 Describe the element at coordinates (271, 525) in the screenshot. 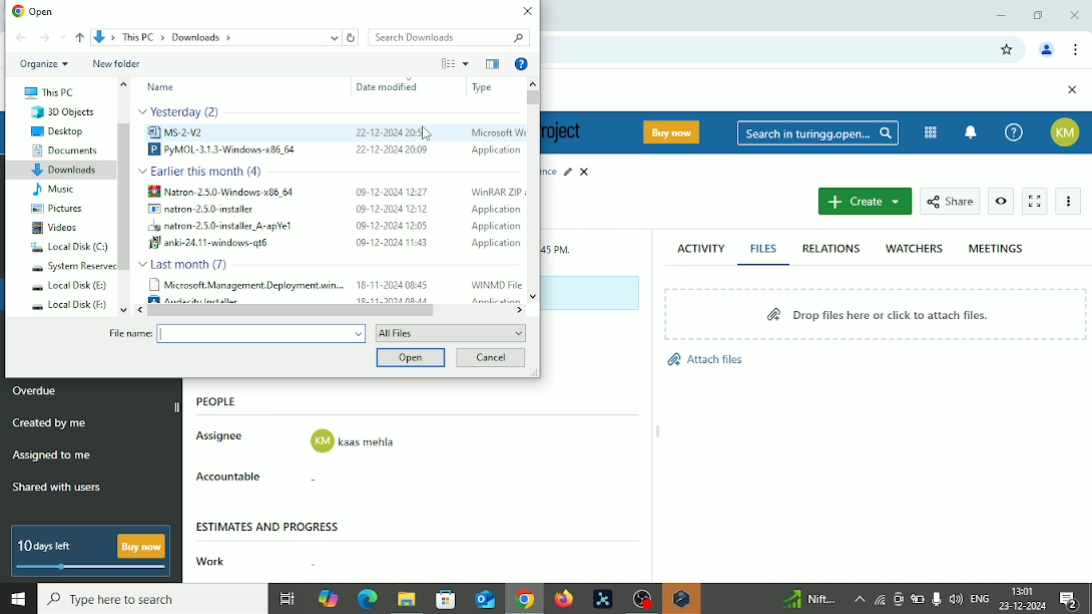

I see `Estimates and progress` at that location.